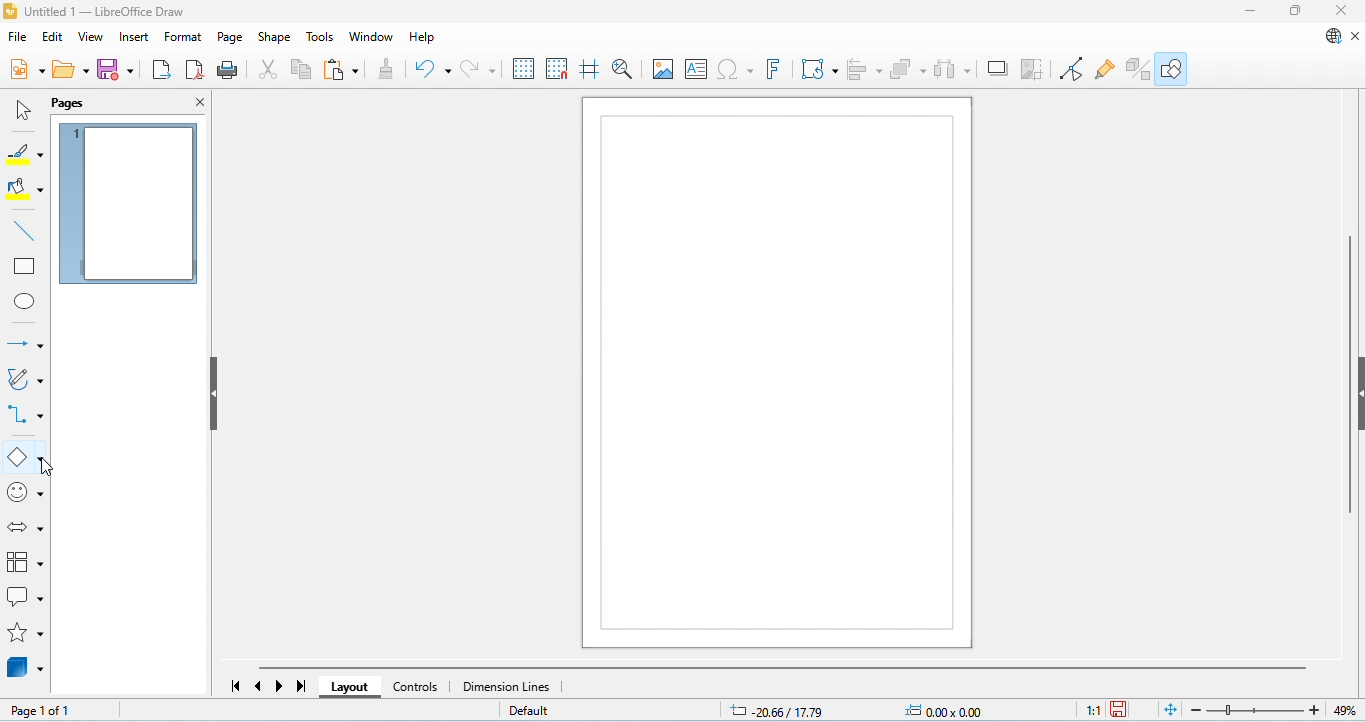 Image resolution: width=1366 pixels, height=722 pixels. I want to click on zoom and pan, so click(624, 70).